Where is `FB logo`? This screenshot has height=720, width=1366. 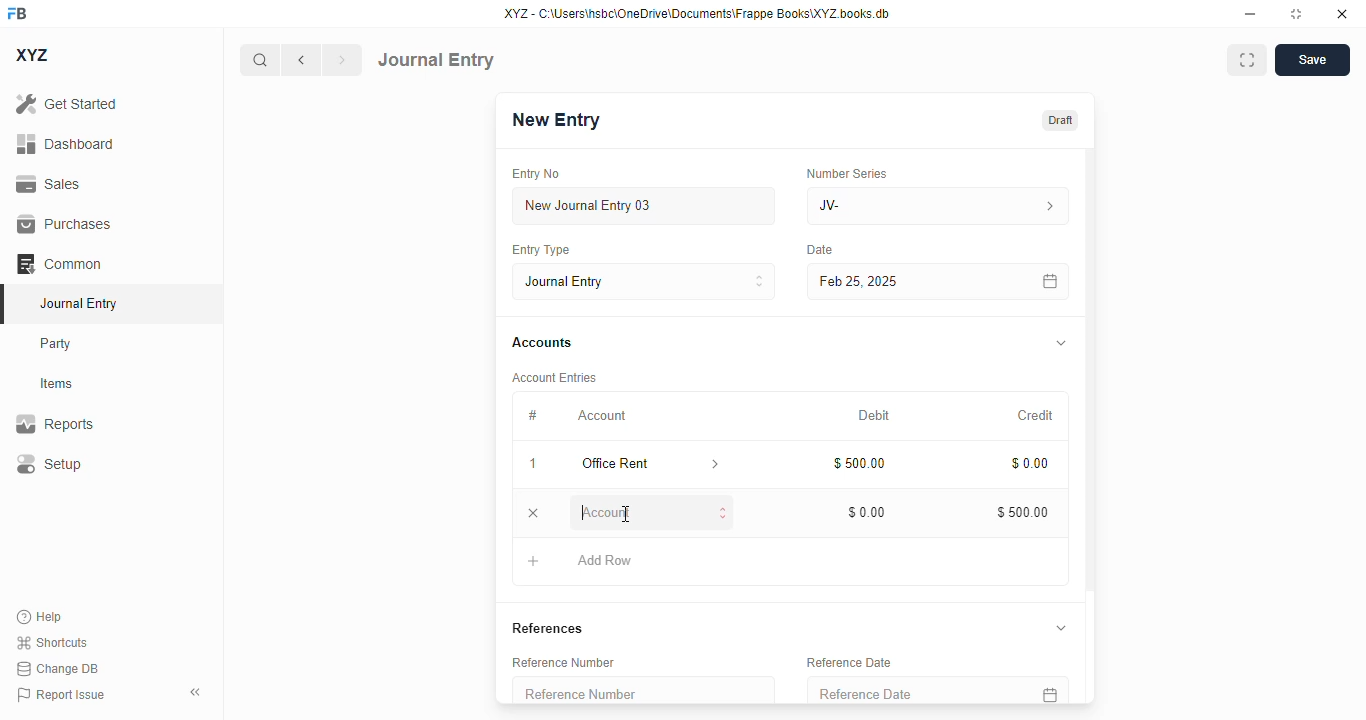 FB logo is located at coordinates (17, 12).